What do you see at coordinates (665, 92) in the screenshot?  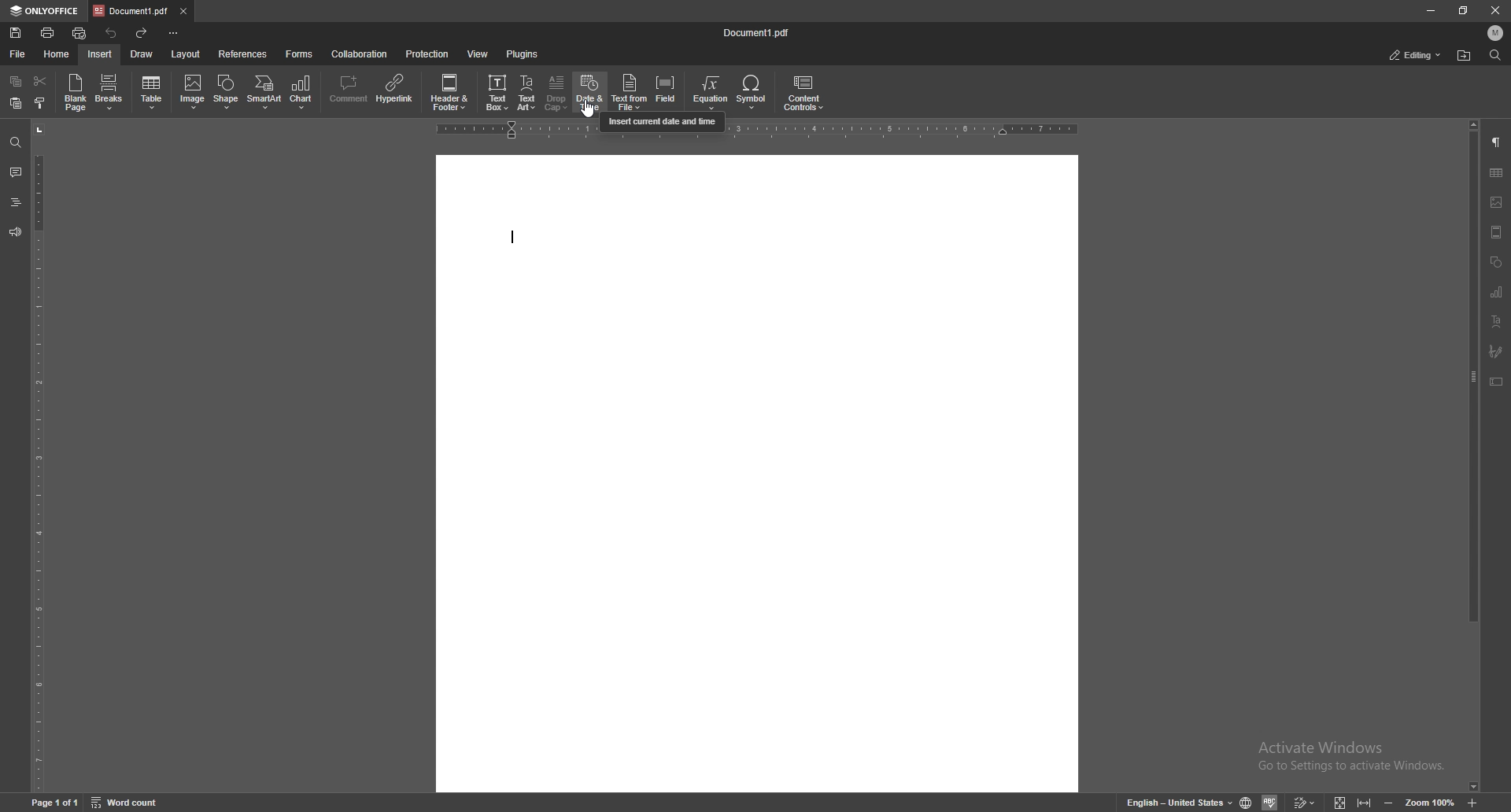 I see `field` at bounding box center [665, 92].